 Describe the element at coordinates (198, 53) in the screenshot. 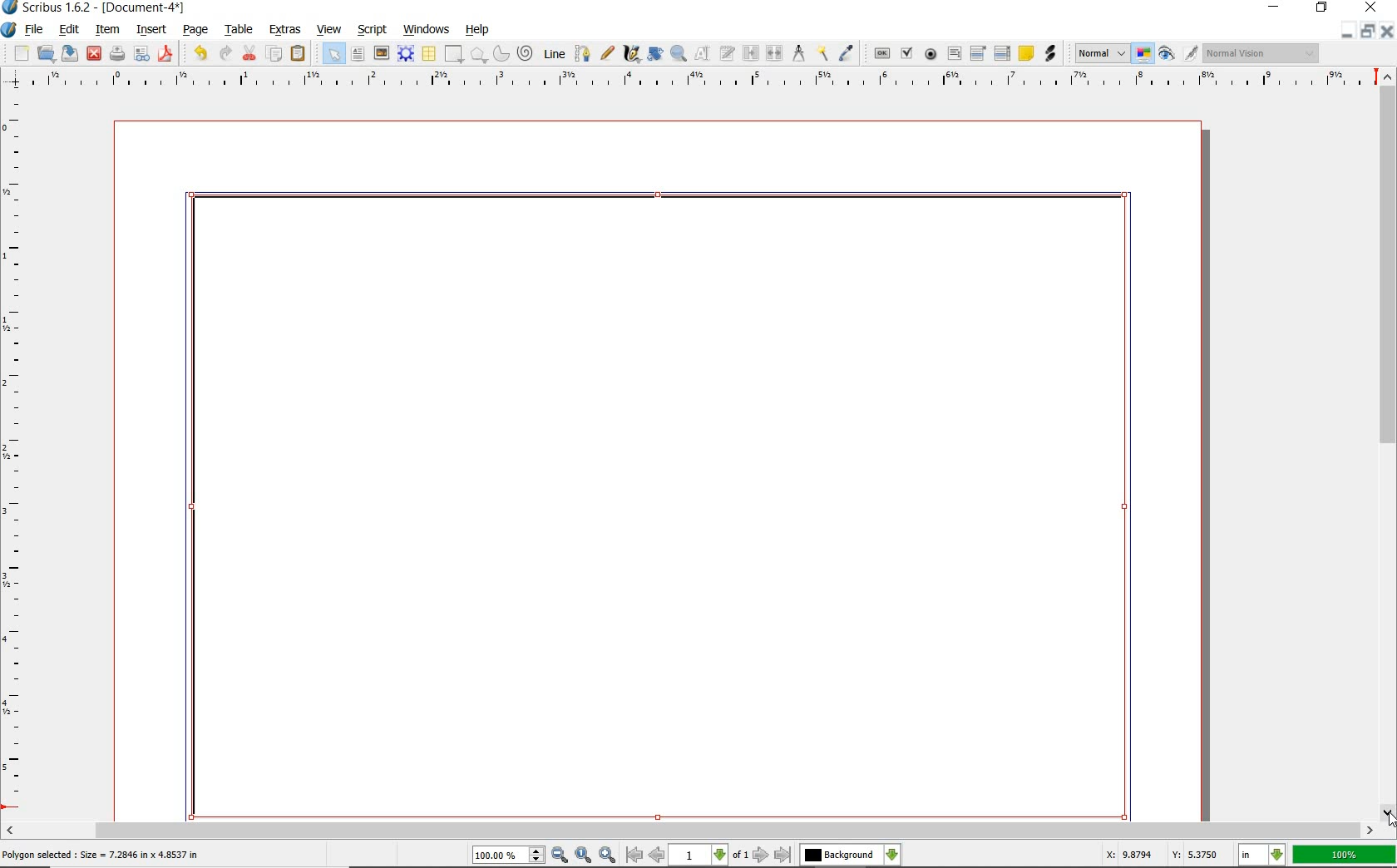

I see `undo` at that location.